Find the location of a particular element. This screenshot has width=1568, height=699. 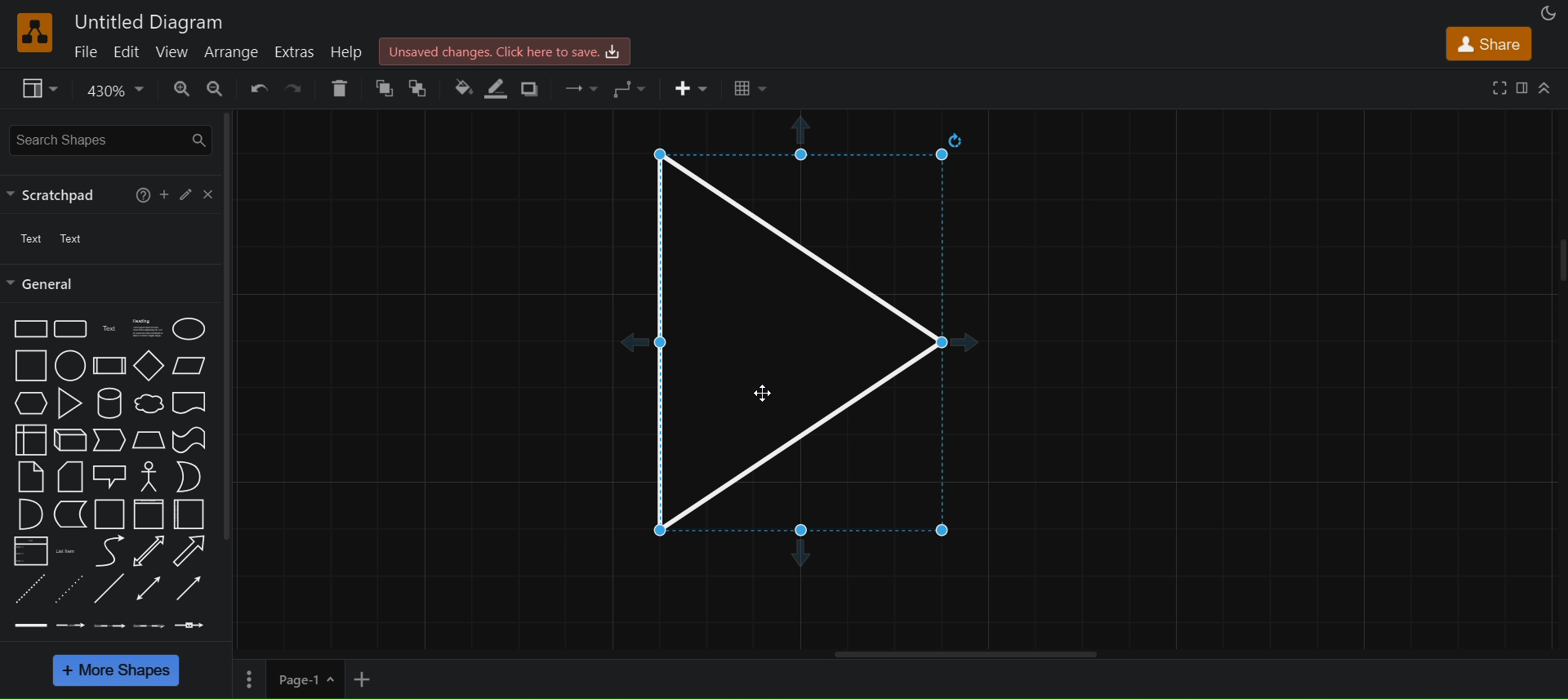

page 1 is located at coordinates (310, 678).